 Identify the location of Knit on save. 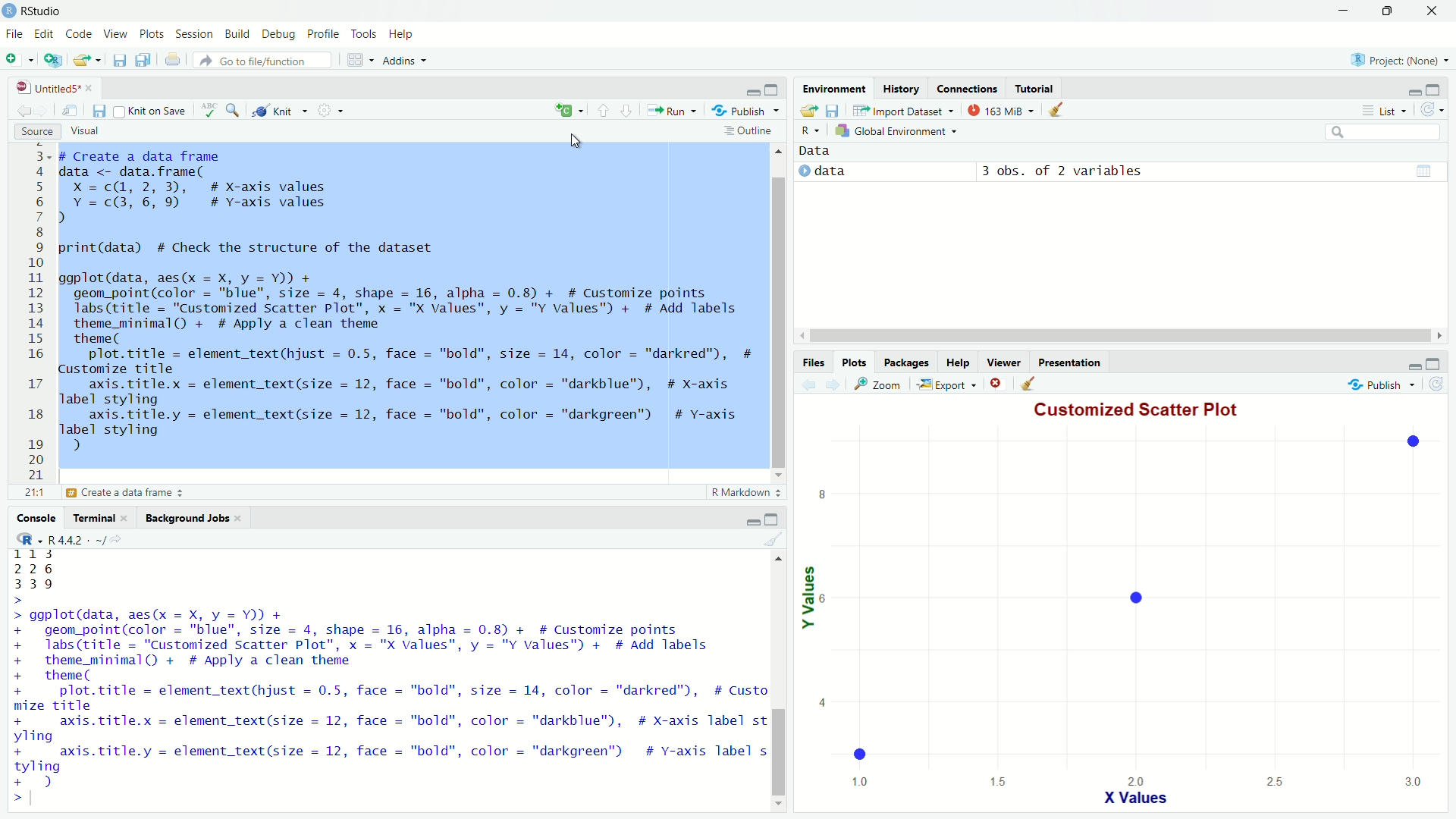
(151, 112).